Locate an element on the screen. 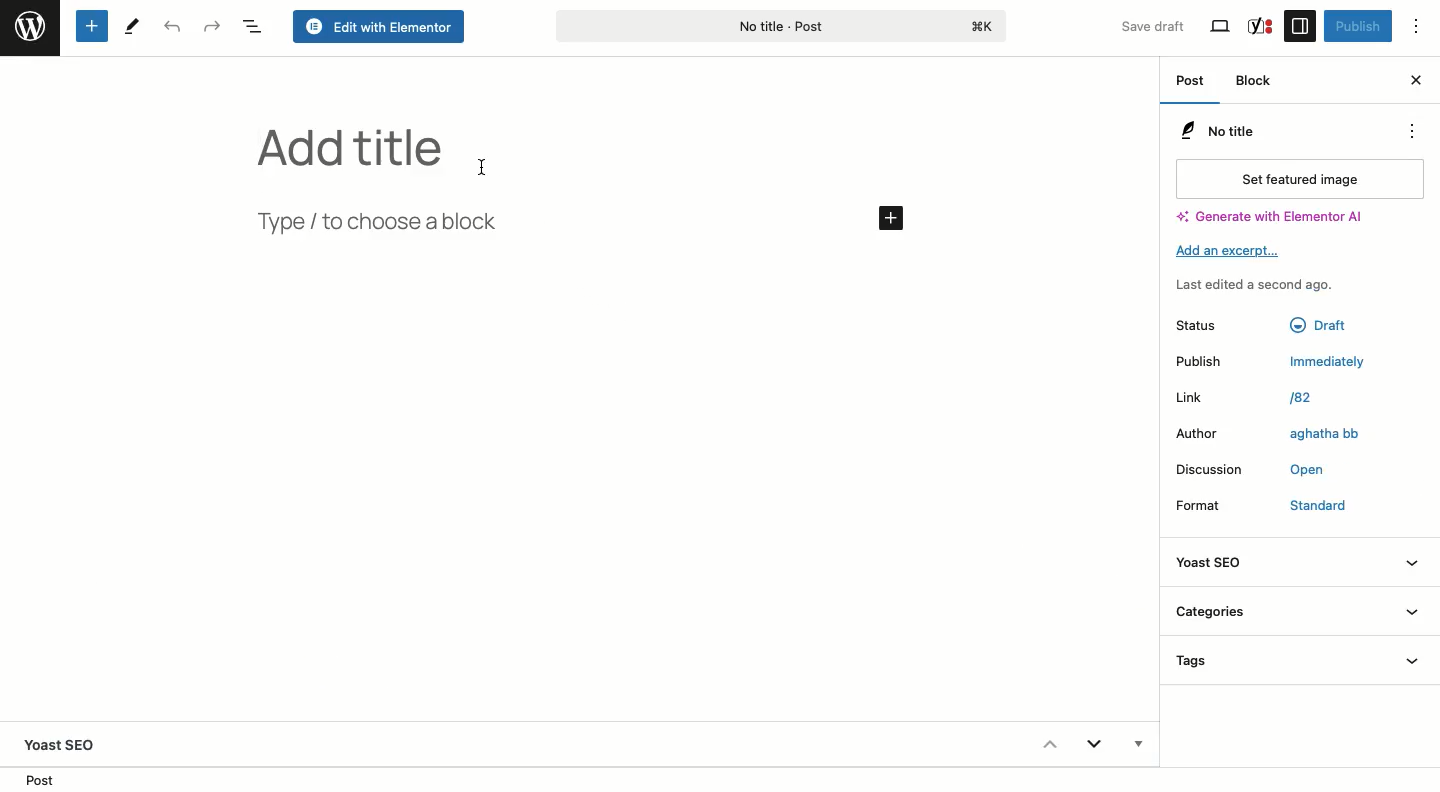 The height and width of the screenshot is (792, 1440). Edit with Elementor is located at coordinates (380, 28).